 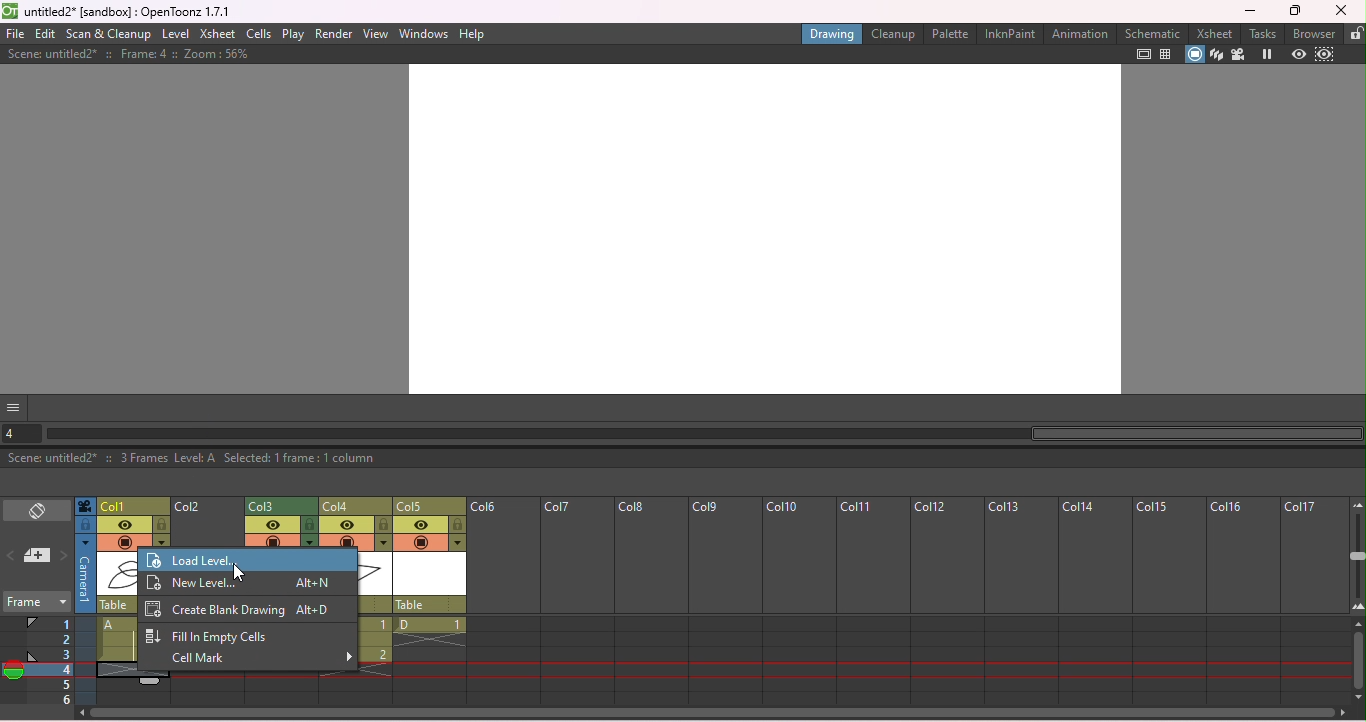 I want to click on Column 5, so click(x=431, y=505).